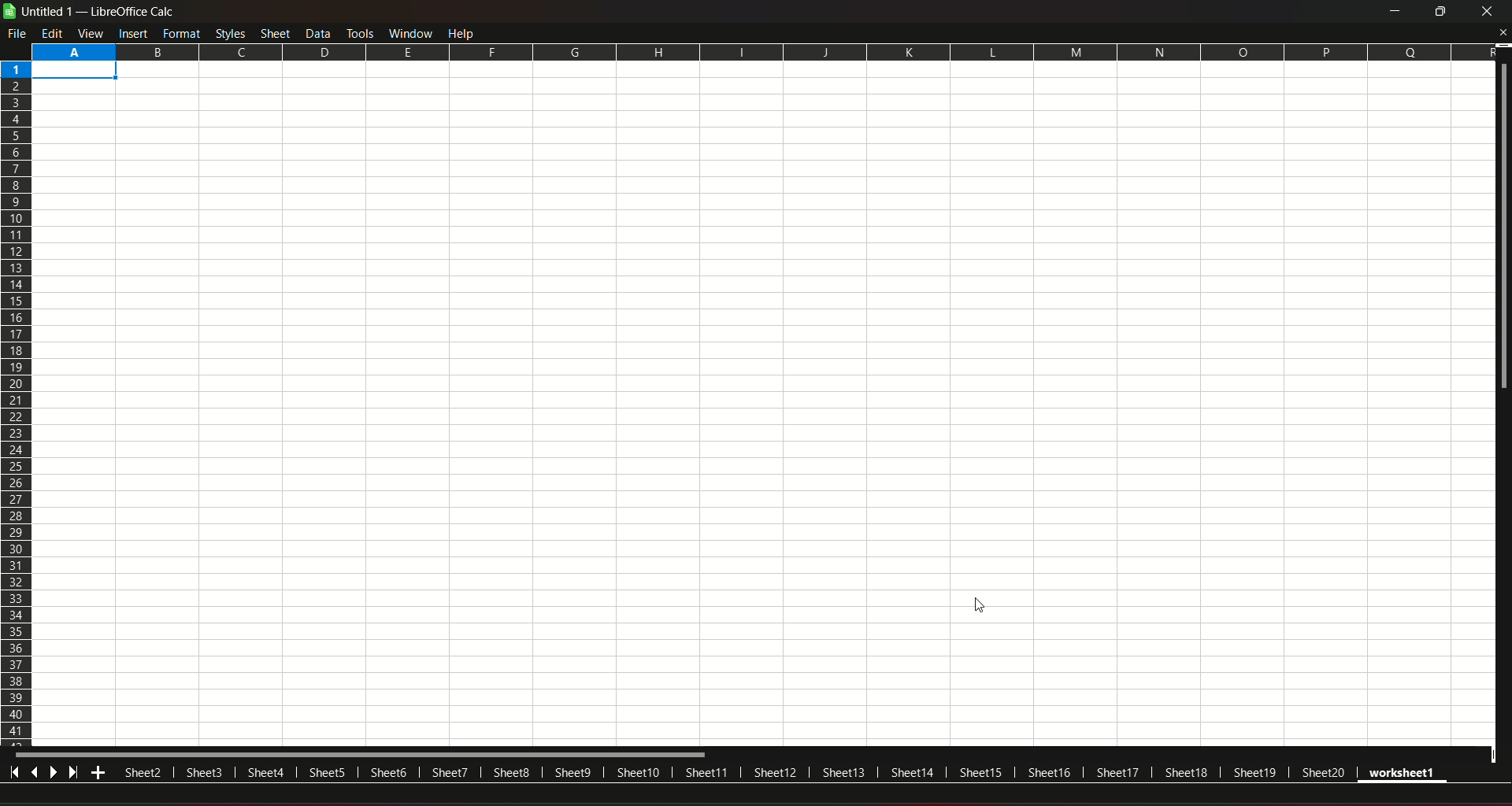 The width and height of the screenshot is (1512, 806). What do you see at coordinates (737, 771) in the screenshot?
I see `worksheets` at bounding box center [737, 771].